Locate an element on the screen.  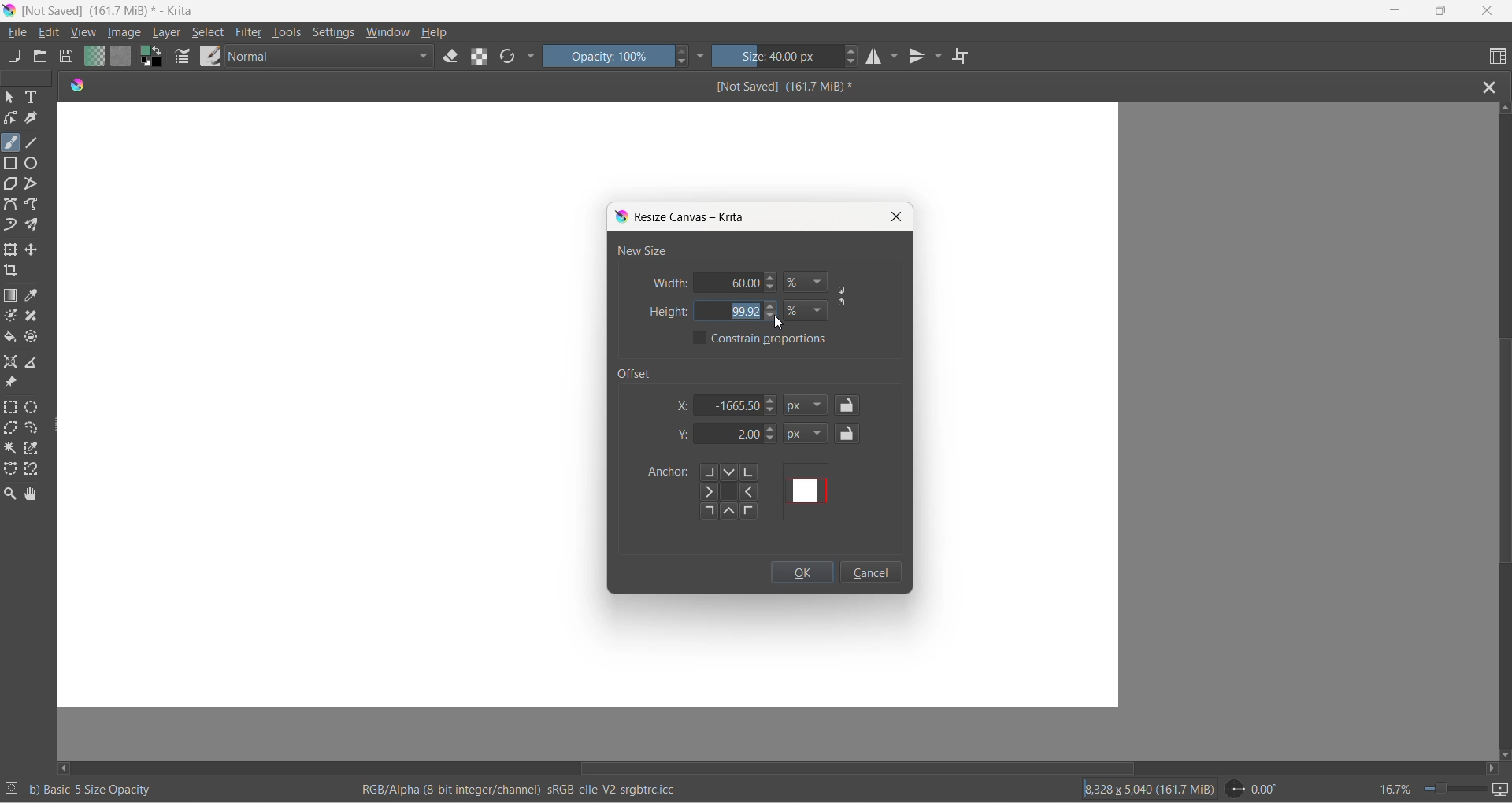
open document is located at coordinates (40, 57).